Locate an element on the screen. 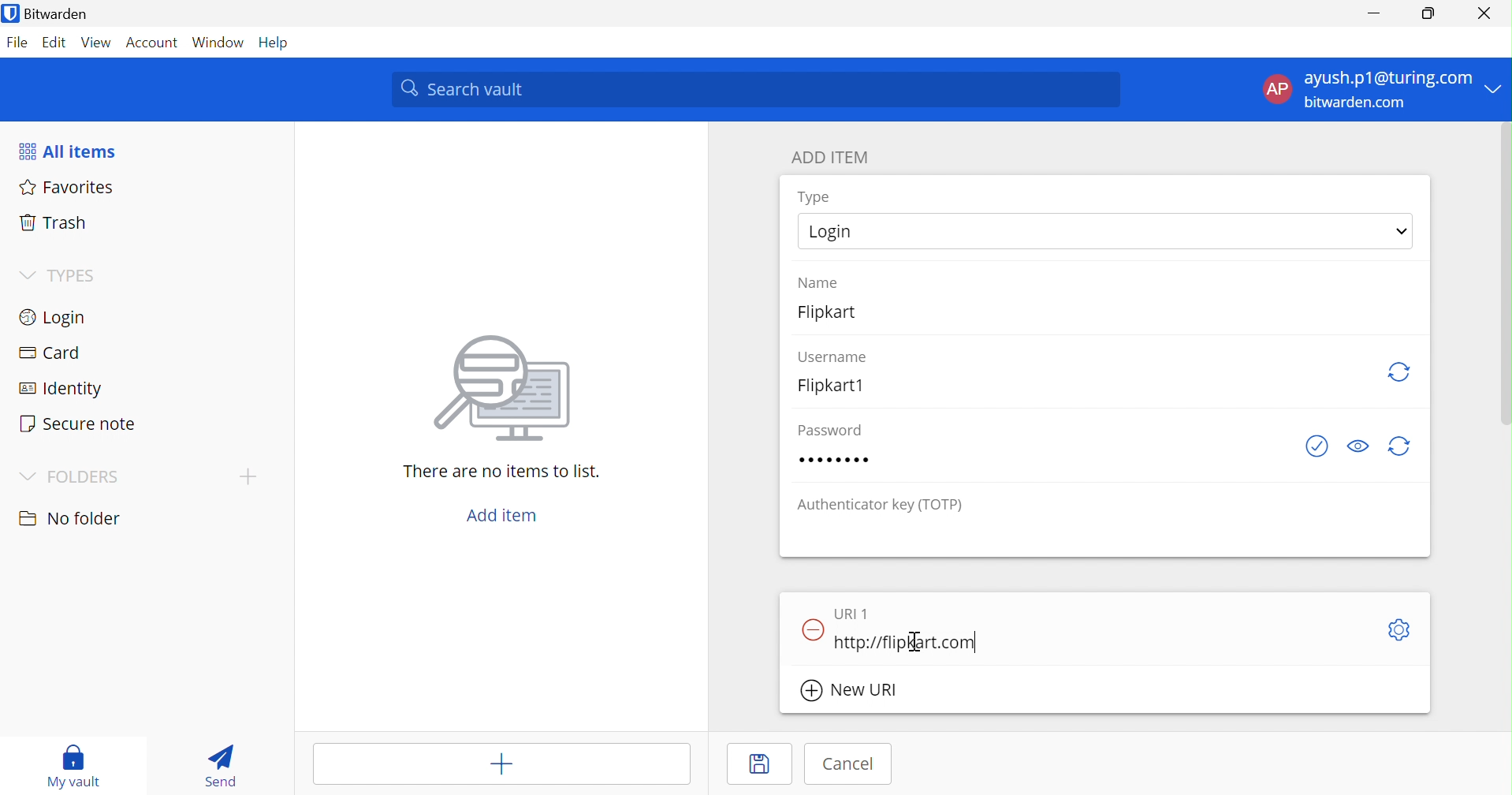 The height and width of the screenshot is (795, 1512). Help is located at coordinates (278, 43).